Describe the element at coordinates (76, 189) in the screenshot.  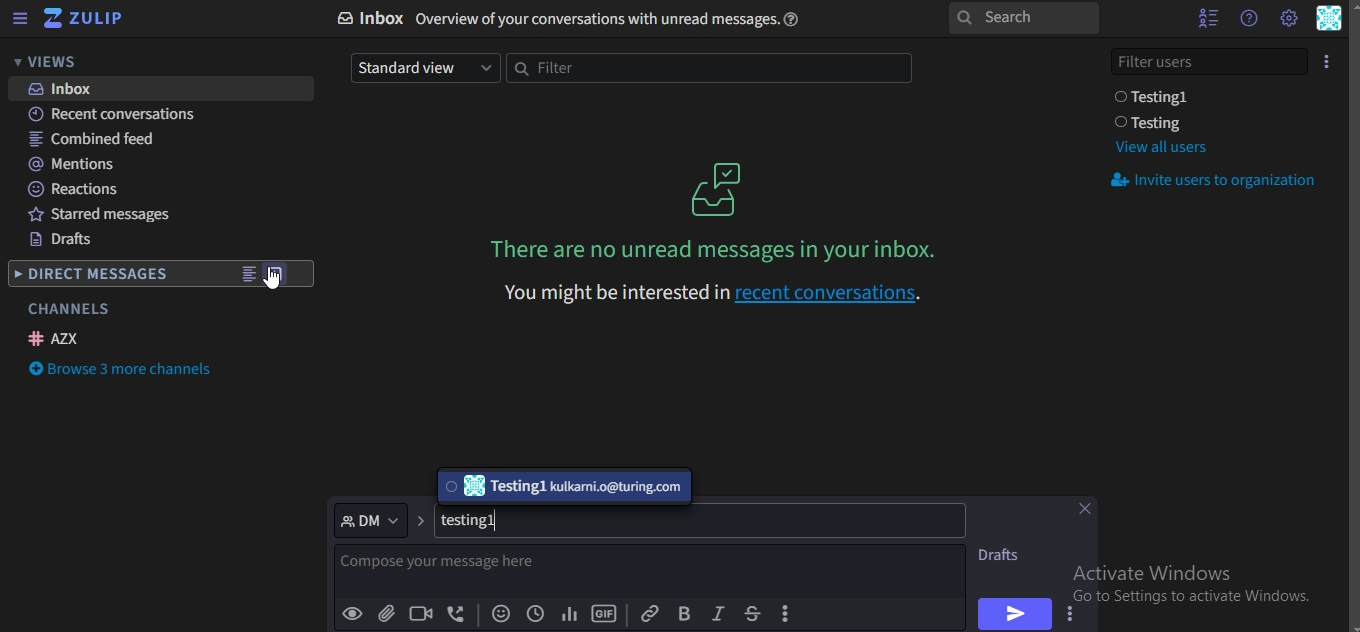
I see `reactions` at that location.